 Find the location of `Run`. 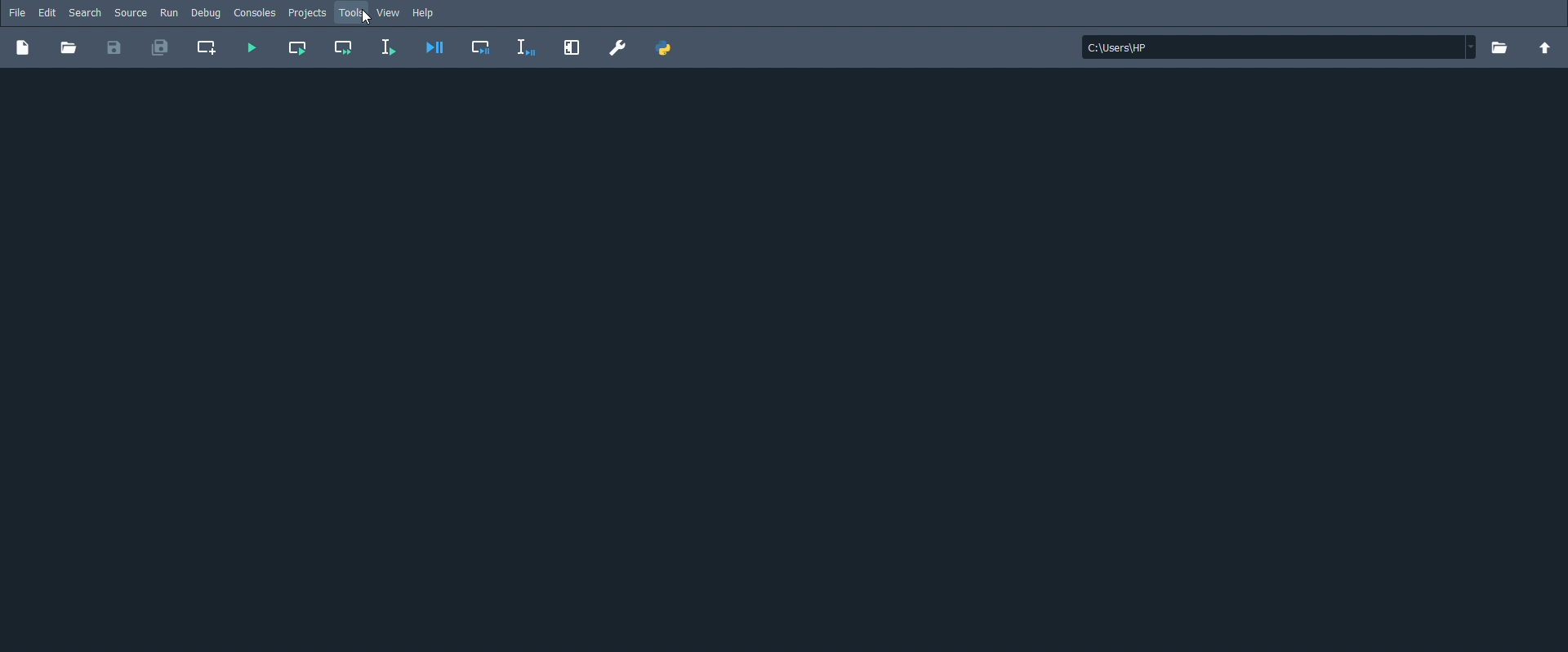

Run is located at coordinates (168, 13).